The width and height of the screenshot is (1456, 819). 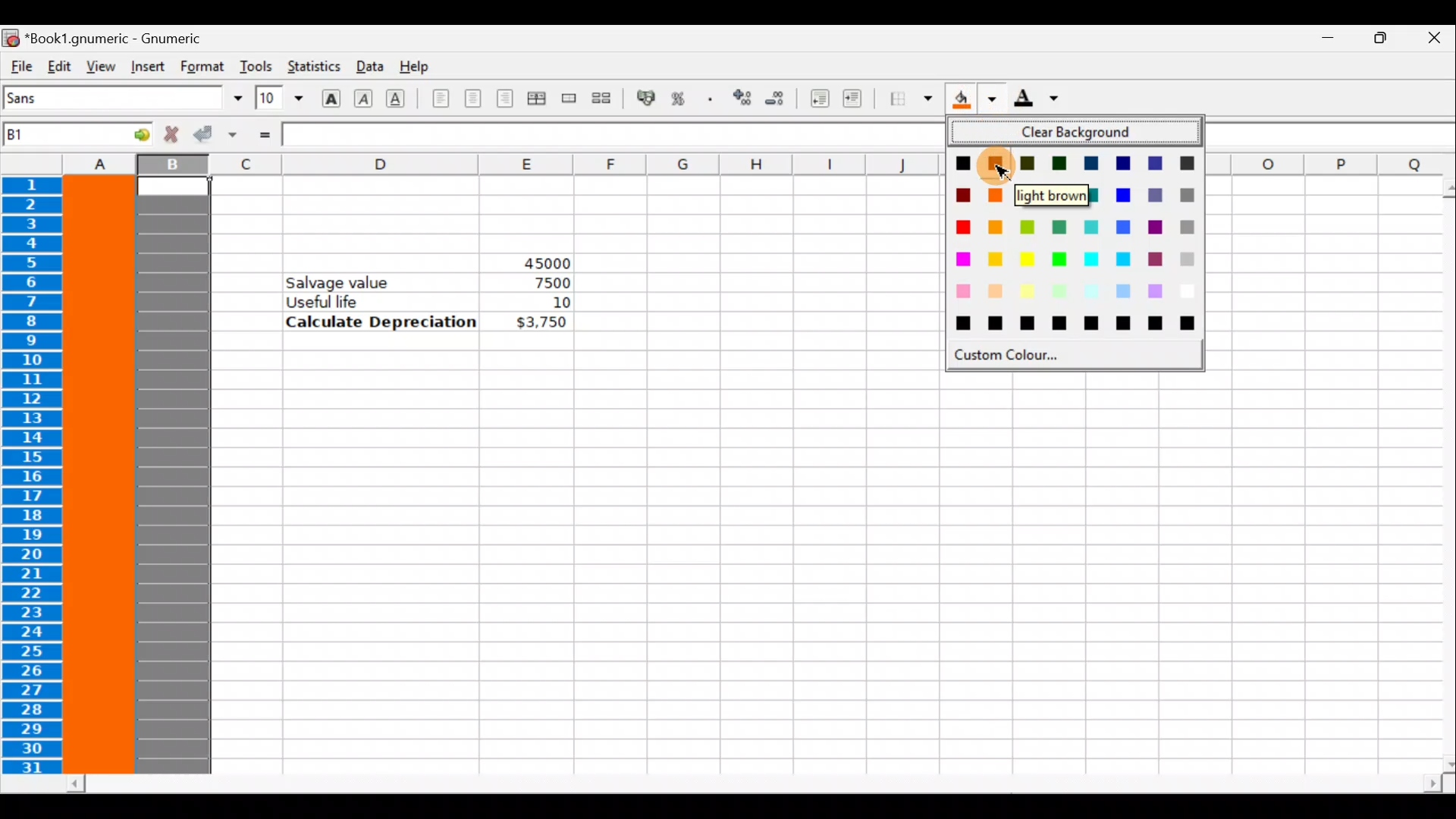 What do you see at coordinates (381, 321) in the screenshot?
I see `Calculate Depreciation` at bounding box center [381, 321].